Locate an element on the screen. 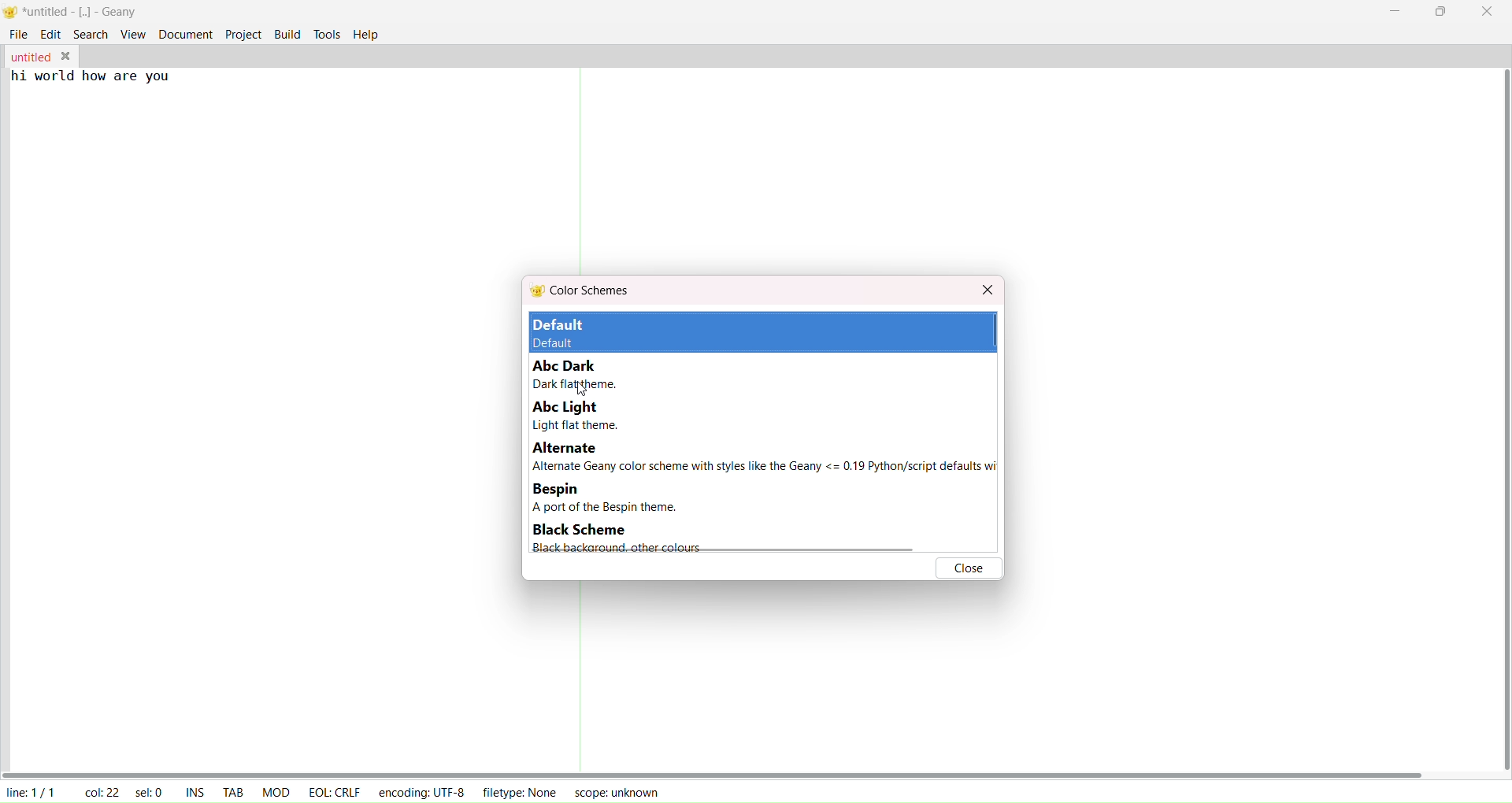 Image resolution: width=1512 pixels, height=803 pixels. close is located at coordinates (968, 567).